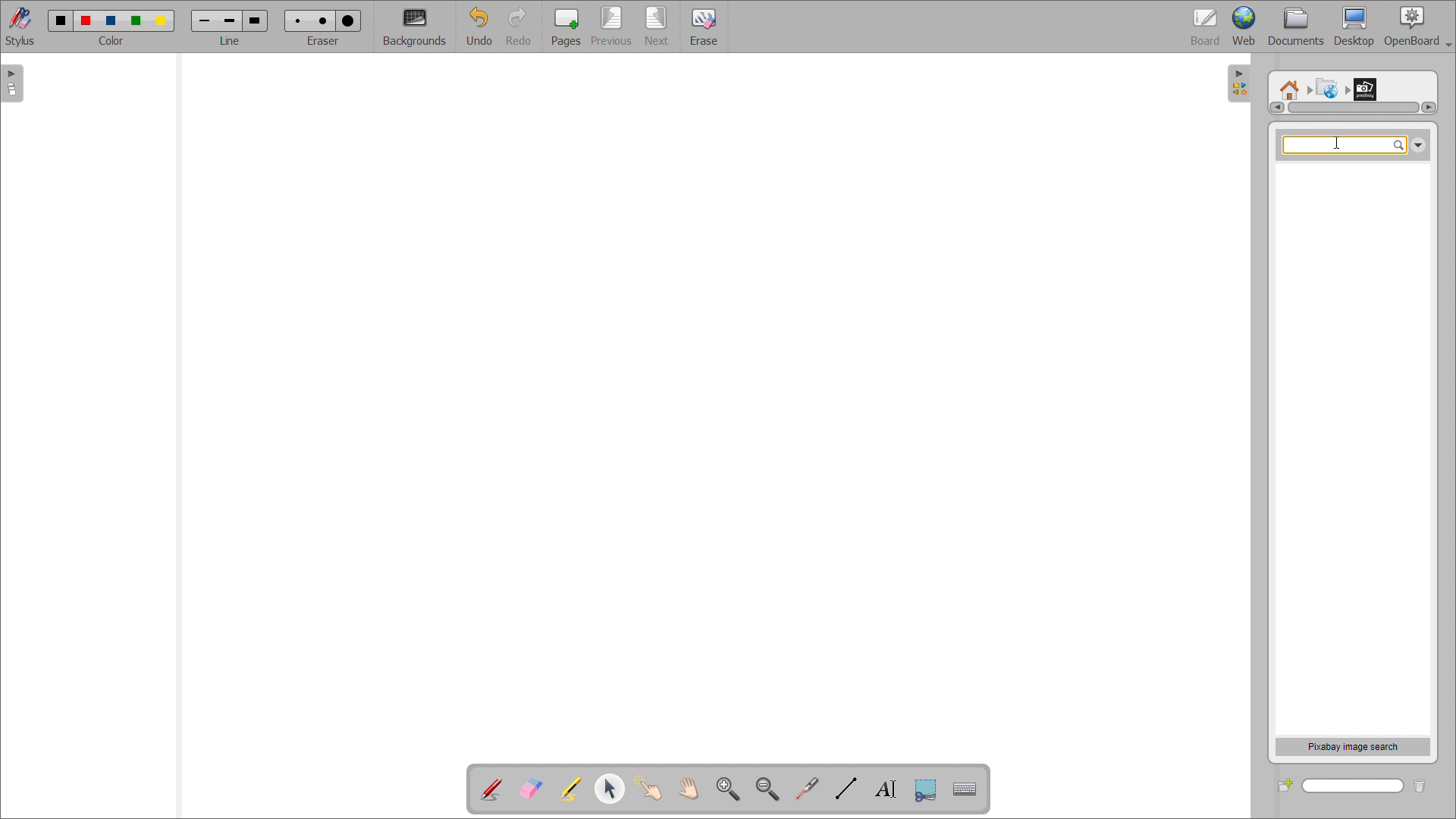  What do you see at coordinates (846, 789) in the screenshot?
I see `draw lines` at bounding box center [846, 789].